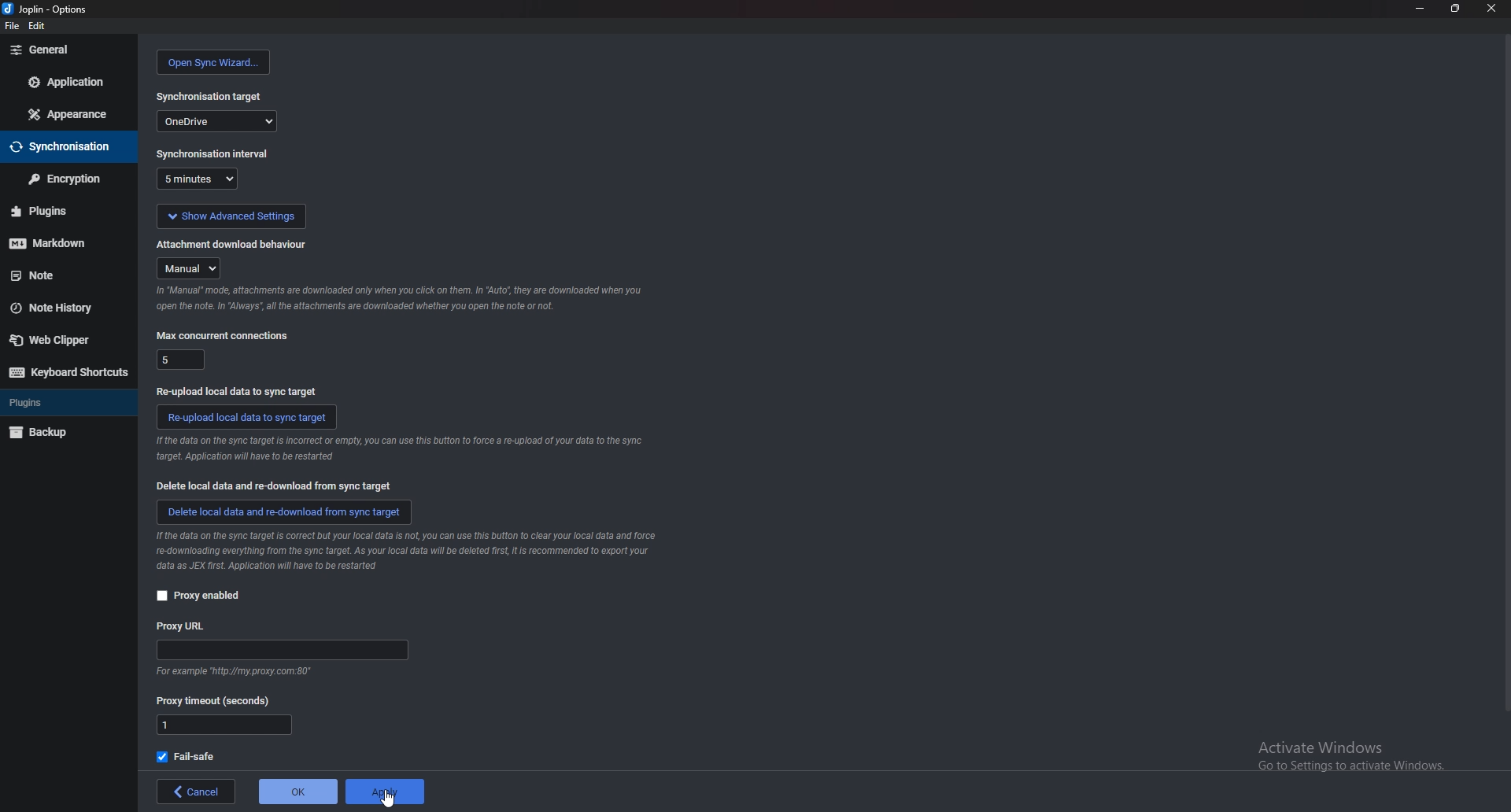 The height and width of the screenshot is (812, 1511). What do you see at coordinates (182, 359) in the screenshot?
I see `5` at bounding box center [182, 359].